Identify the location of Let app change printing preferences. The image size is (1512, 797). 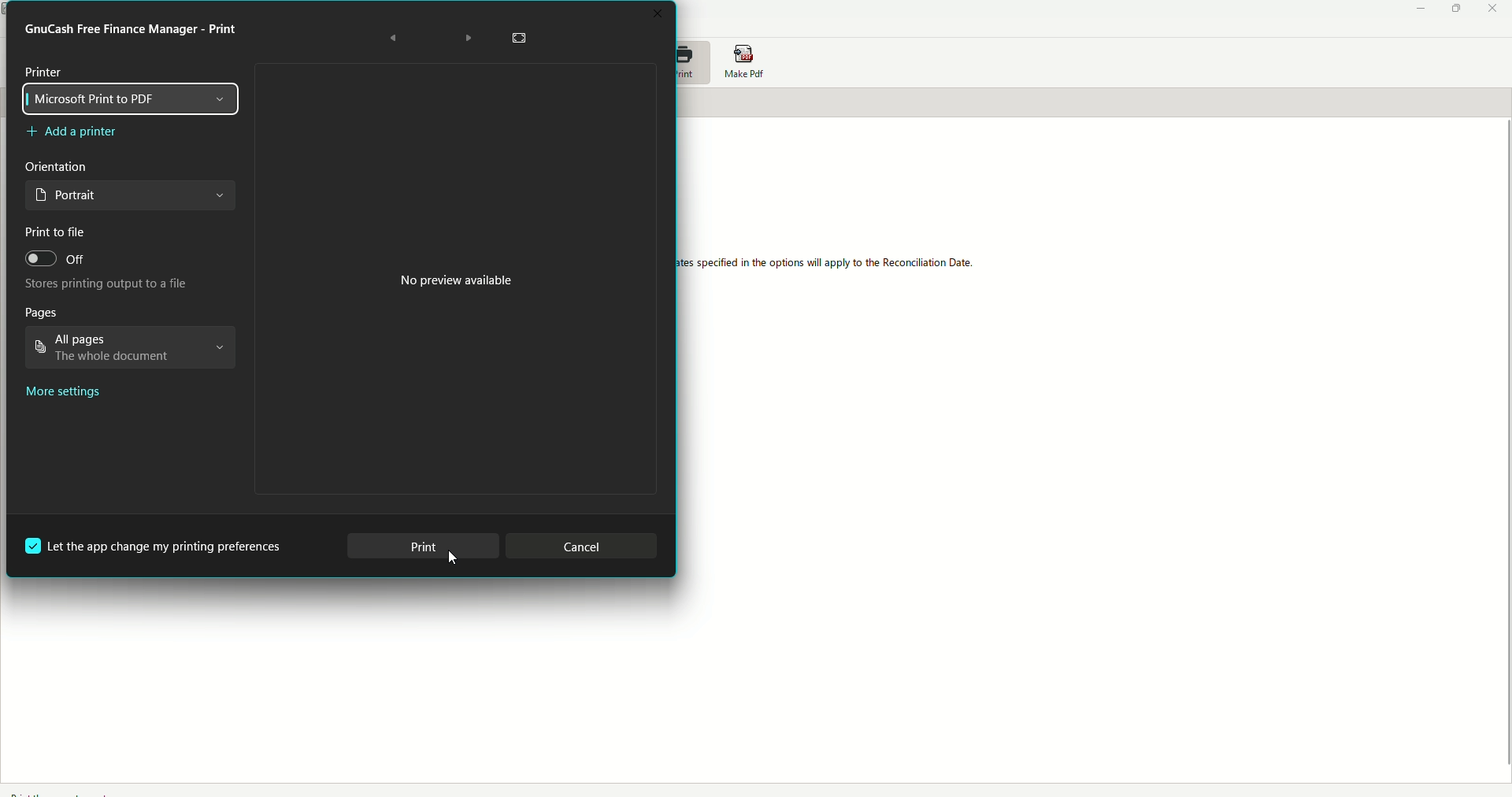
(156, 545).